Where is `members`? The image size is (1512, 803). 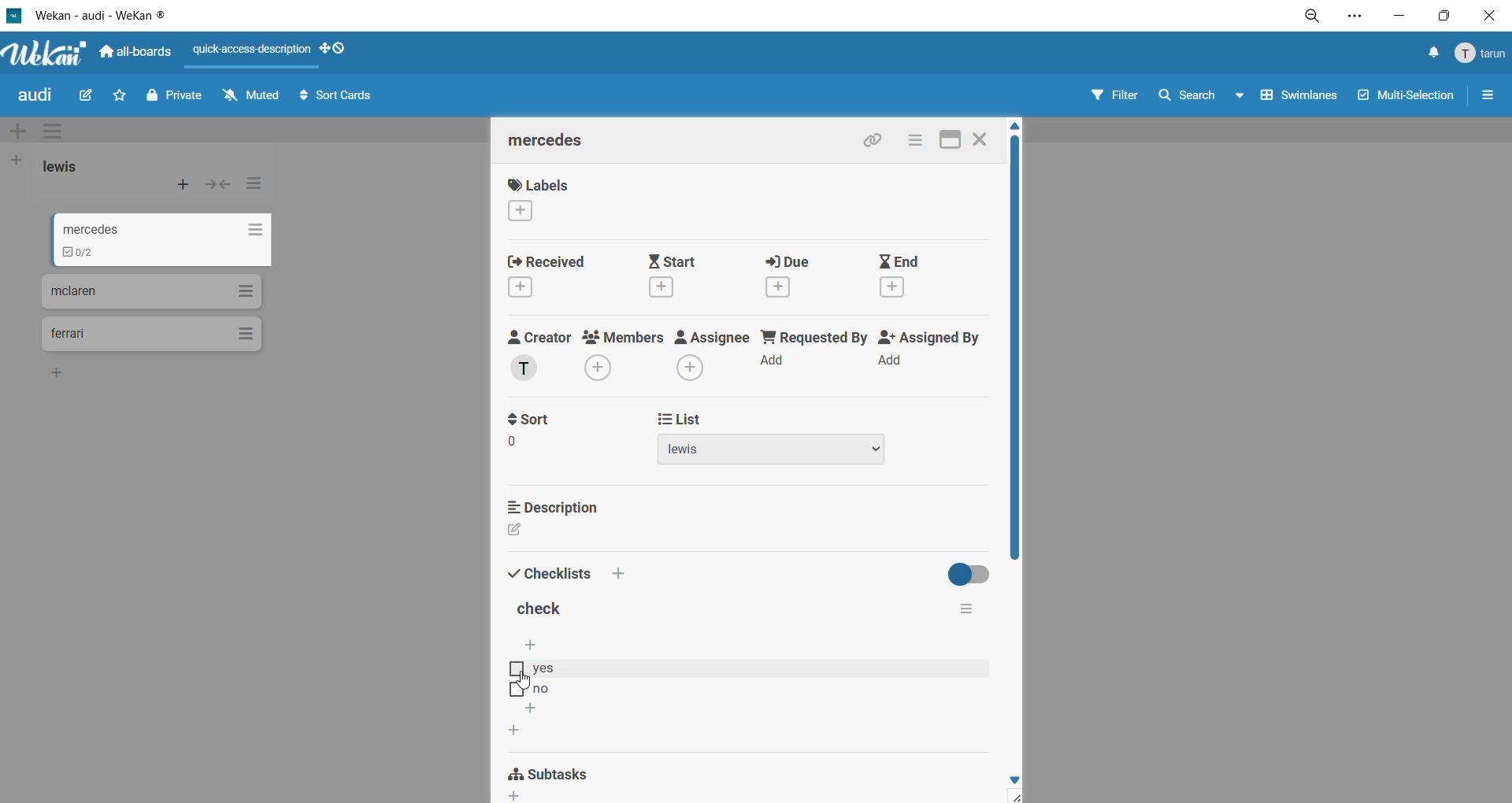
members is located at coordinates (622, 357).